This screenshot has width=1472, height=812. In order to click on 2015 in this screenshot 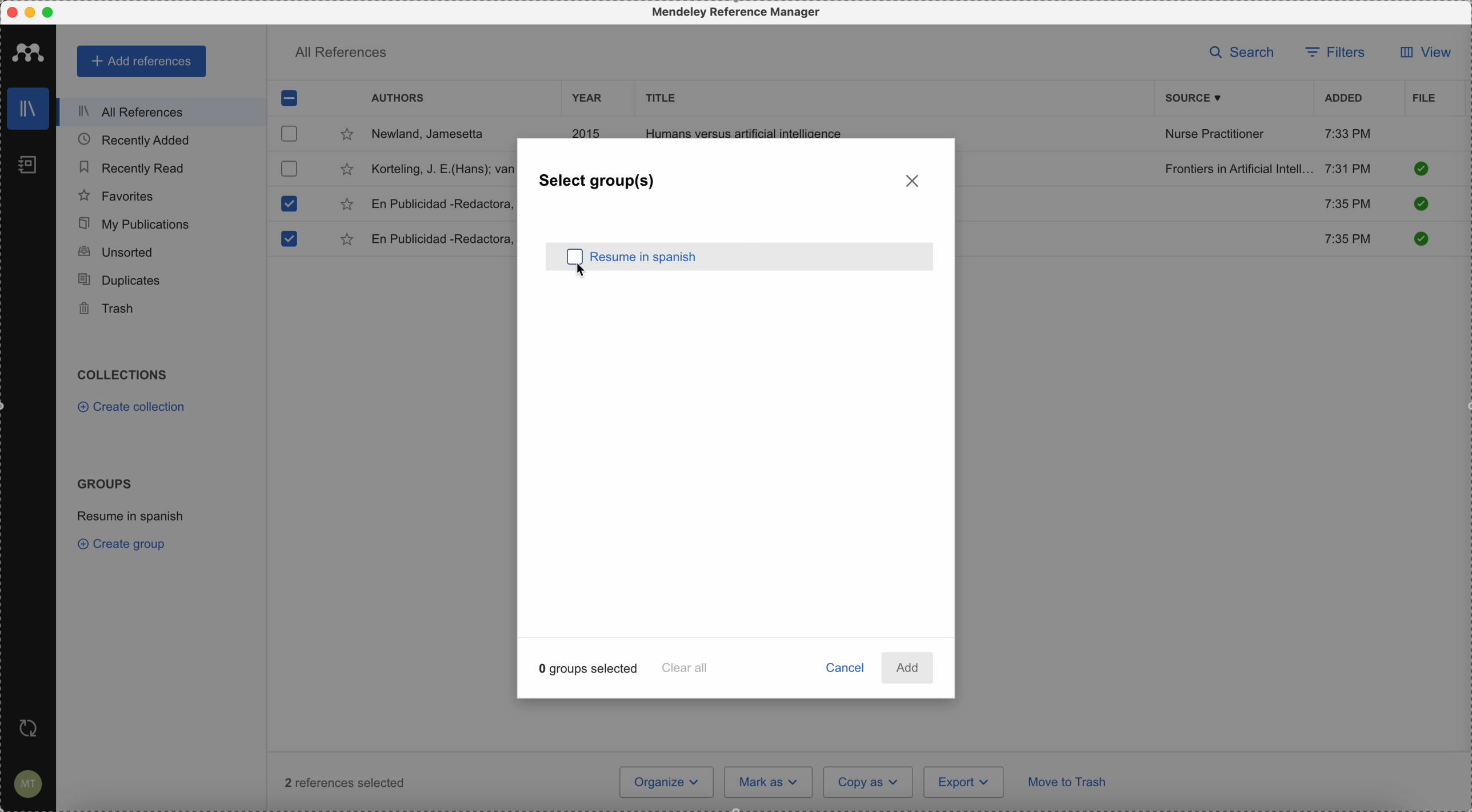, I will do `click(589, 131)`.